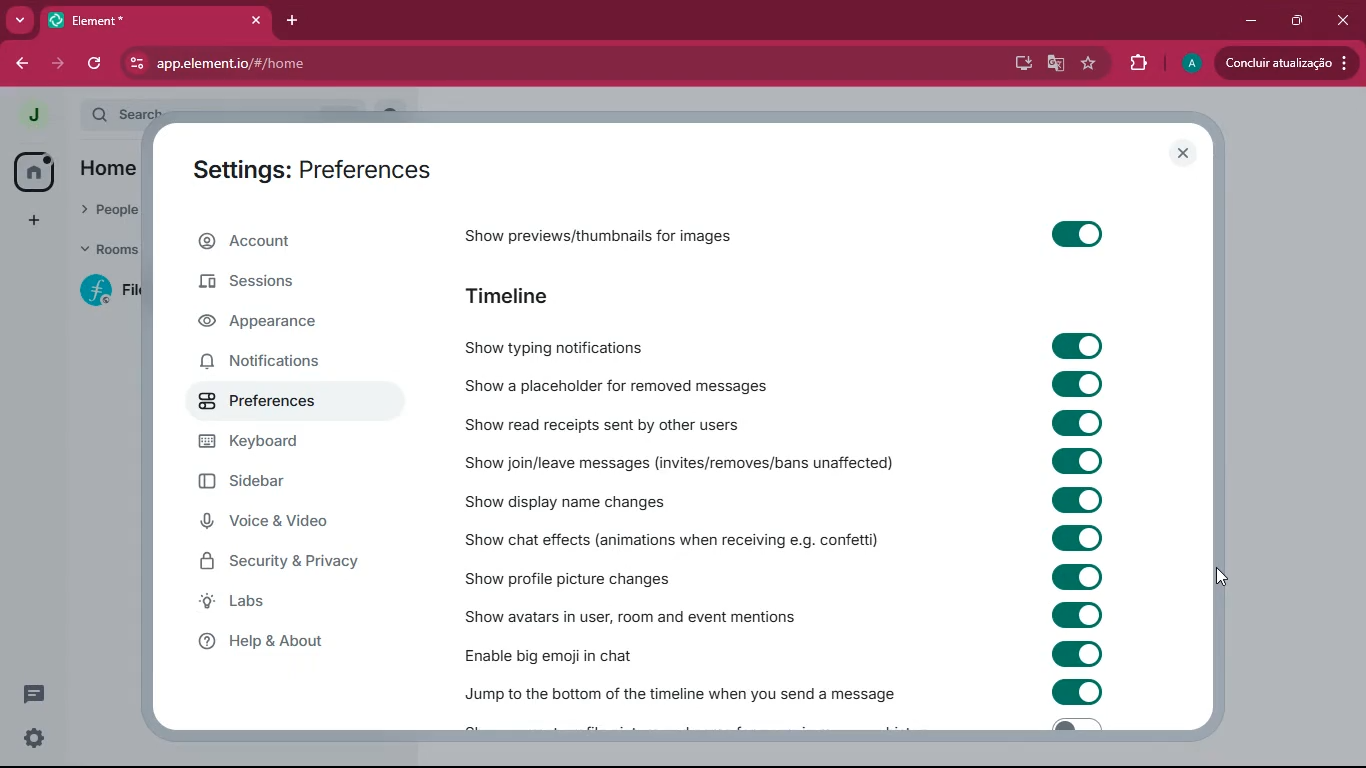  Describe the element at coordinates (287, 484) in the screenshot. I see `sidebar` at that location.